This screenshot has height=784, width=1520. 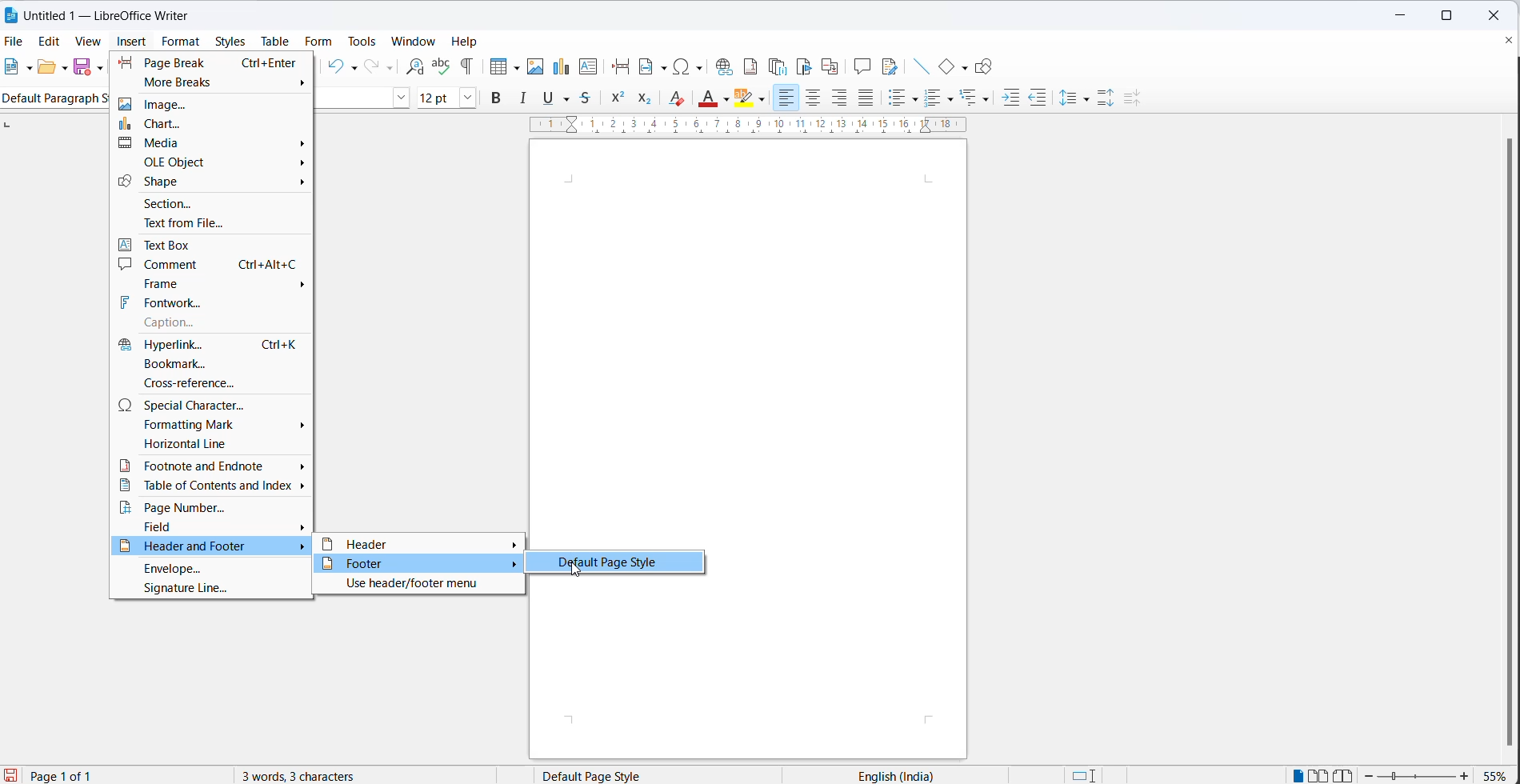 What do you see at coordinates (499, 98) in the screenshot?
I see `bold` at bounding box center [499, 98].